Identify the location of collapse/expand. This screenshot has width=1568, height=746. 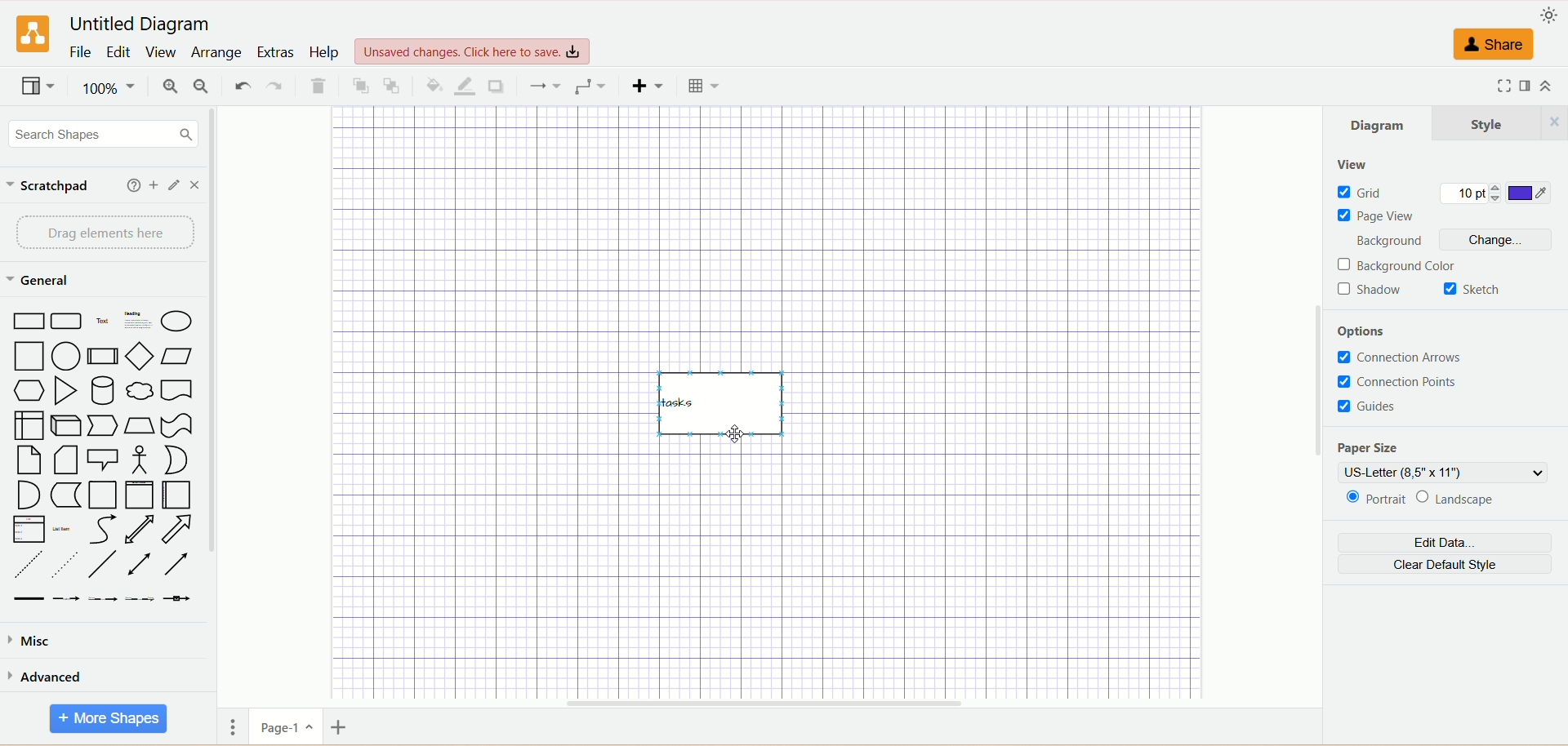
(1546, 86).